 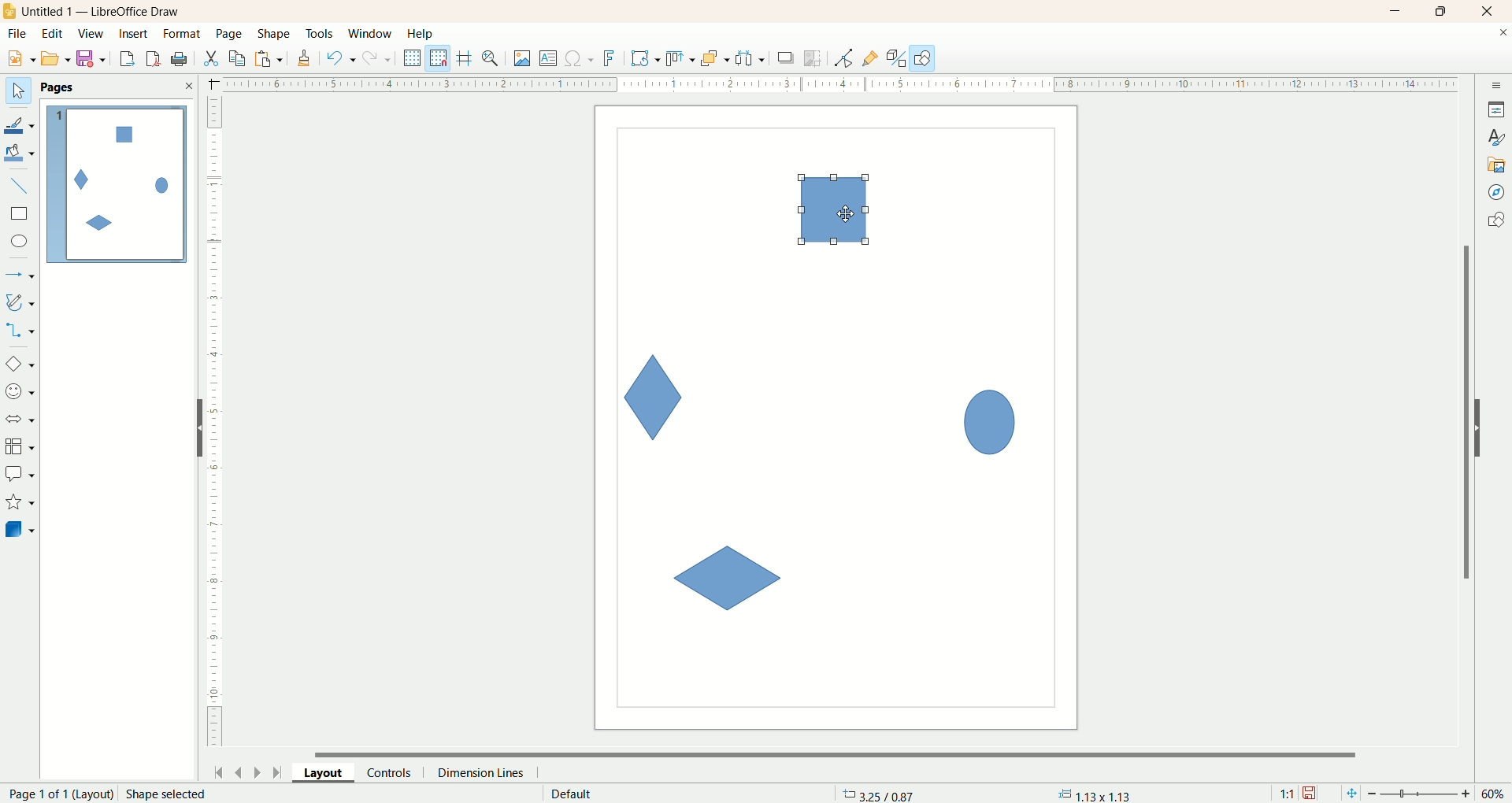 What do you see at coordinates (20, 330) in the screenshot?
I see `connectors` at bounding box center [20, 330].